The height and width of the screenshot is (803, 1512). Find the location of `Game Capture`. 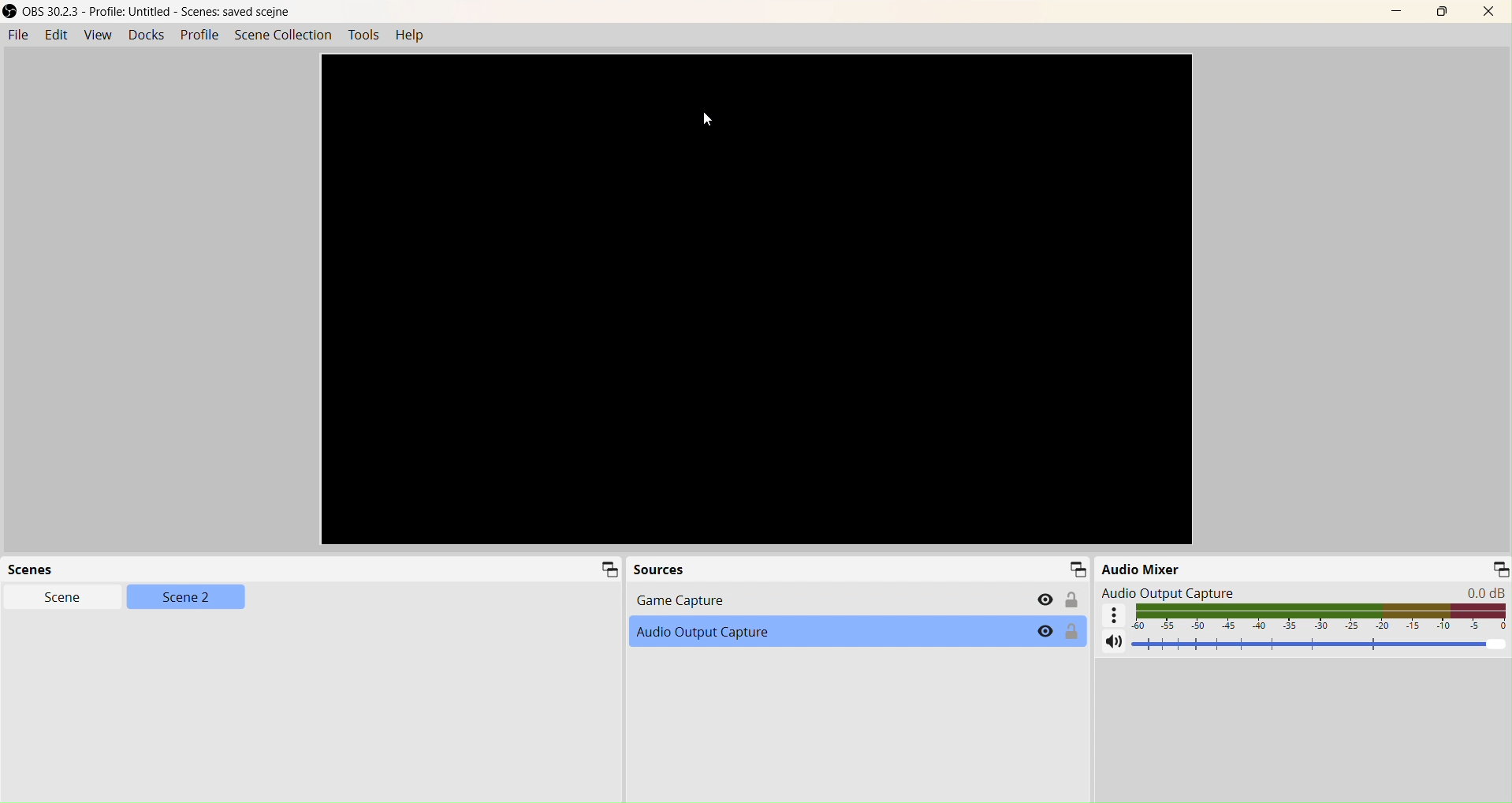

Game Capture is located at coordinates (849, 600).